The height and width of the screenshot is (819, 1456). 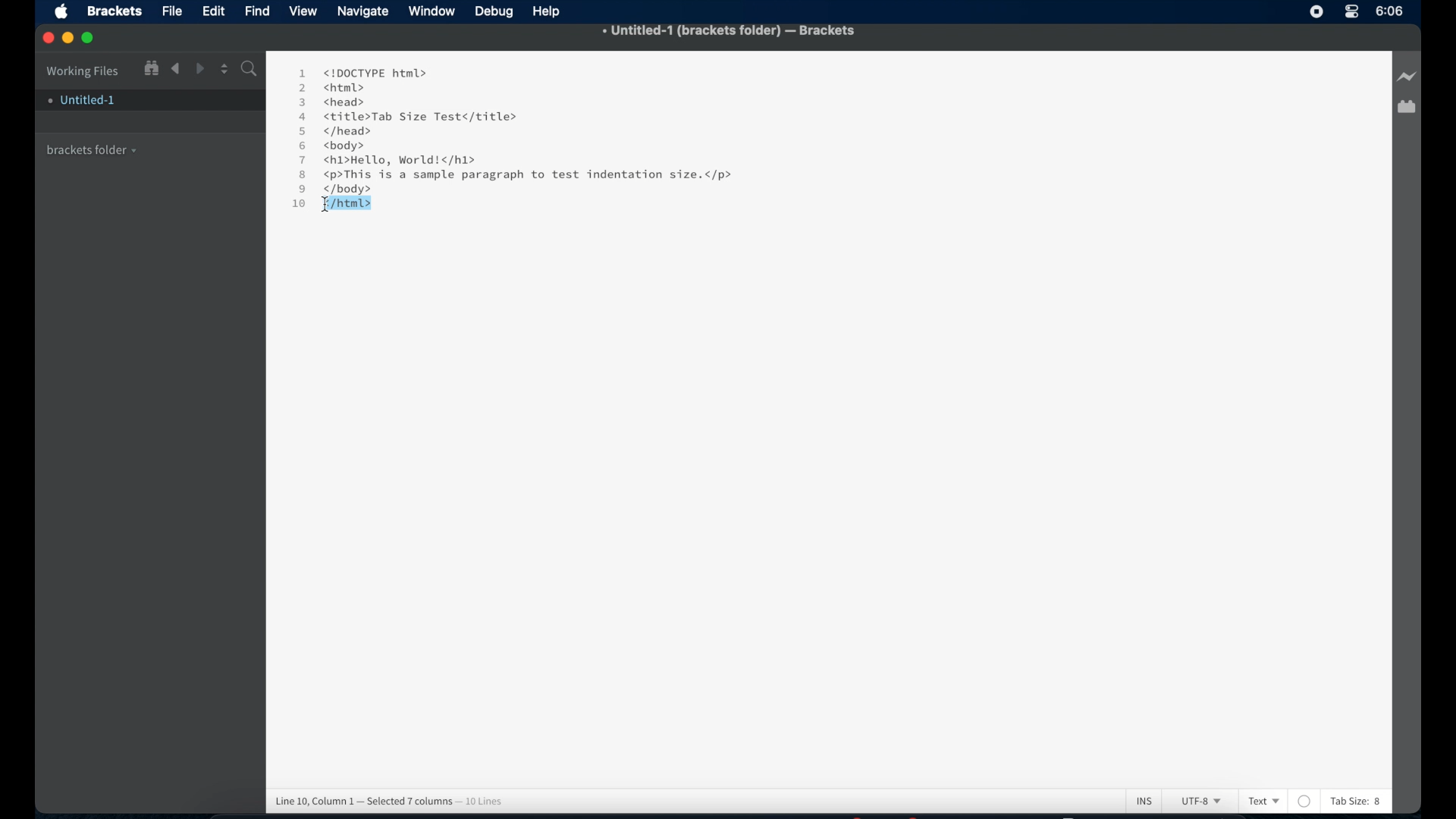 I want to click on Right, so click(x=201, y=68).